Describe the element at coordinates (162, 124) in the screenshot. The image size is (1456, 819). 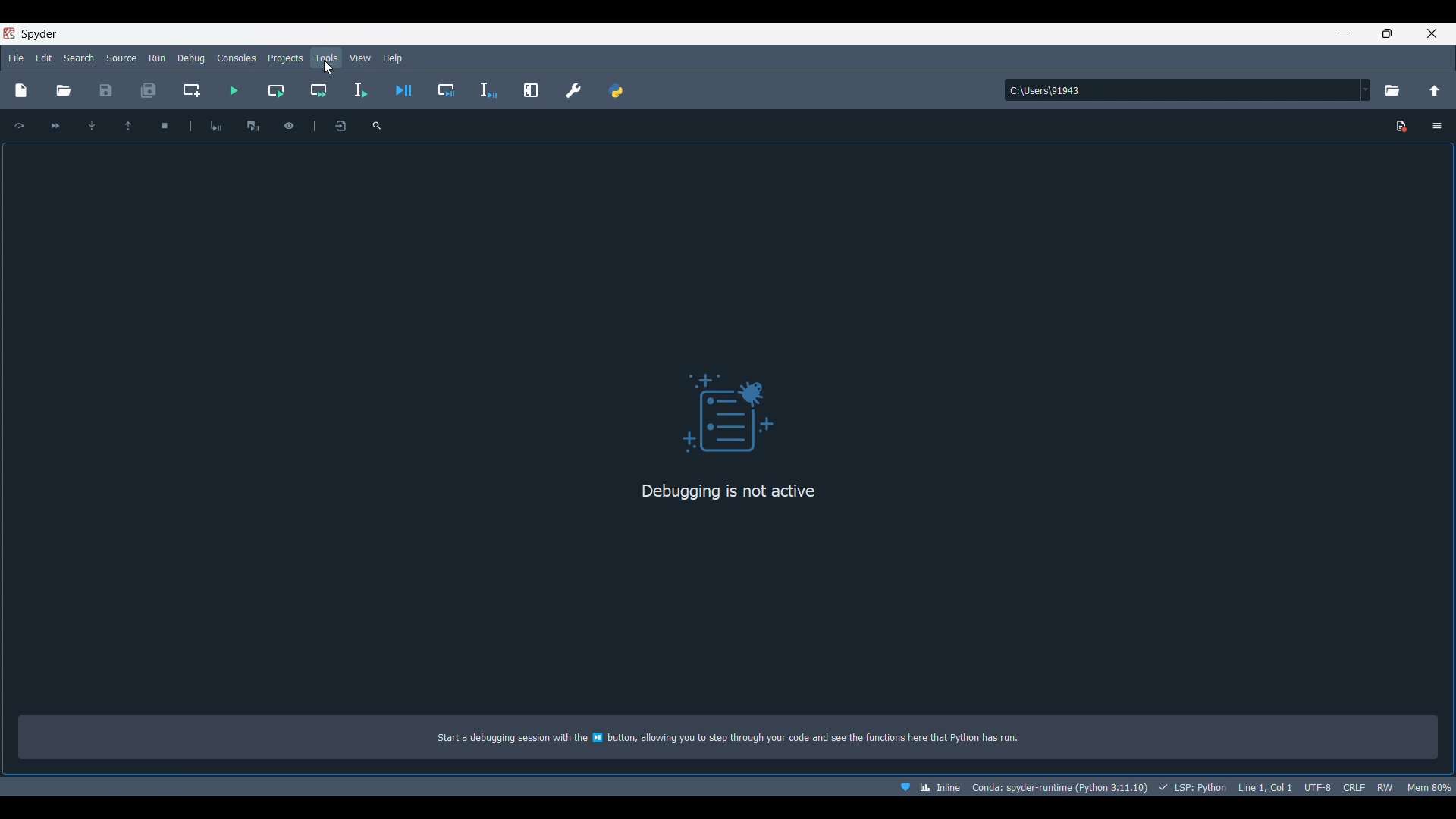
I see `stop` at that location.